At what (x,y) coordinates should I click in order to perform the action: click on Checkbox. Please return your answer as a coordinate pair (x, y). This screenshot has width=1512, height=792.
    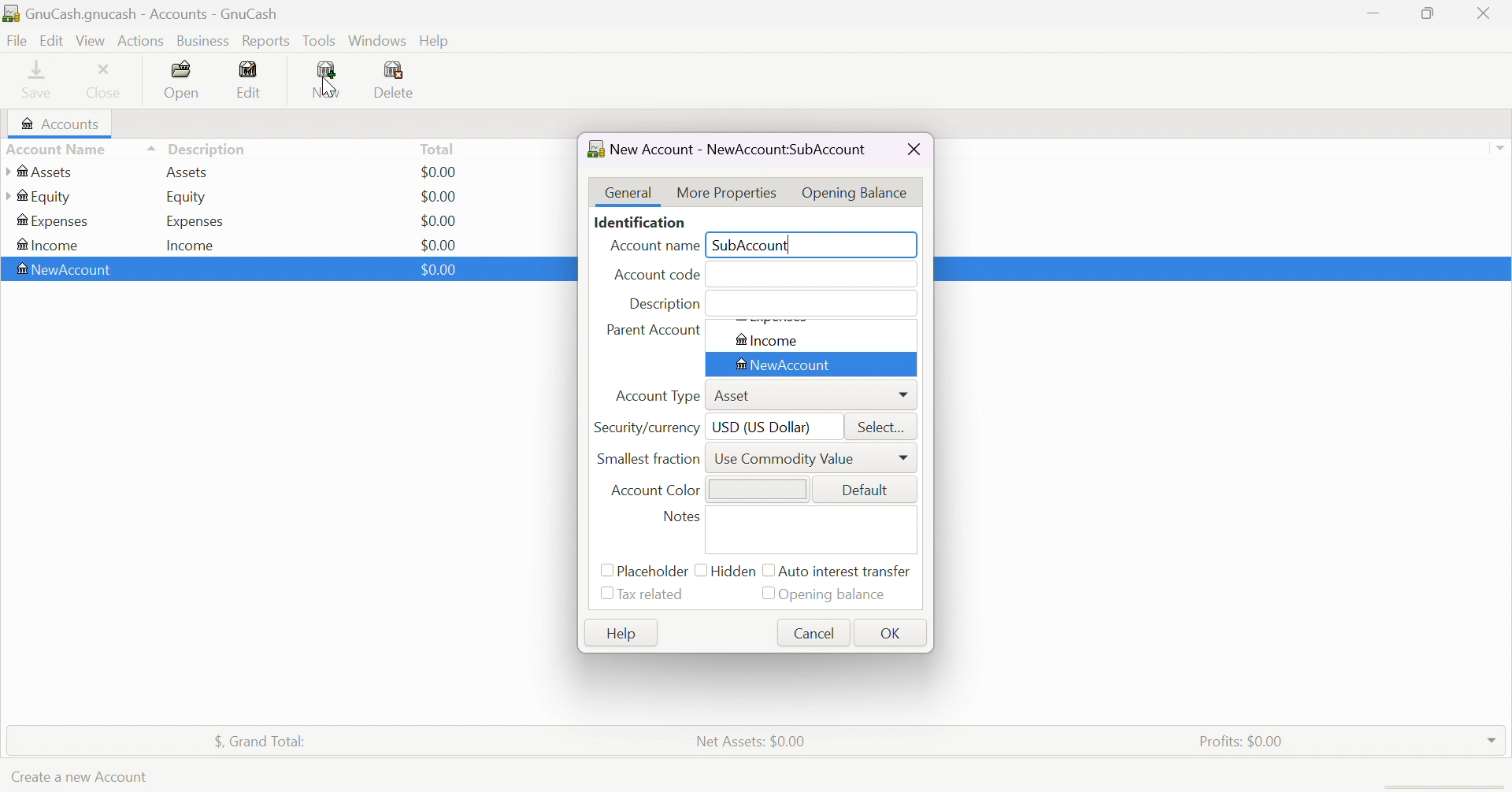
    Looking at the image, I should click on (603, 596).